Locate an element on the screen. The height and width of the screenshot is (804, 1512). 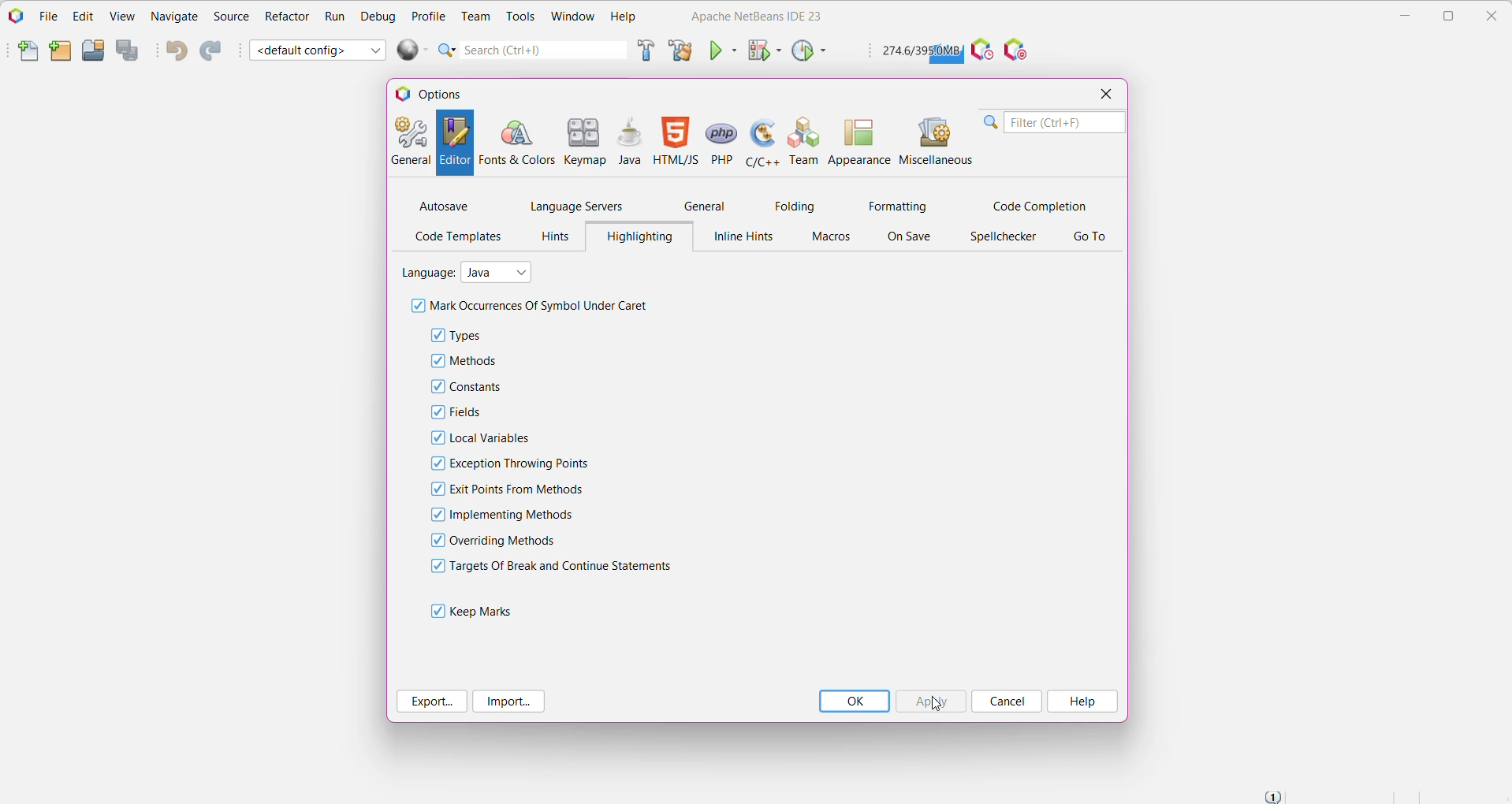
Navigator is located at coordinates (174, 18).